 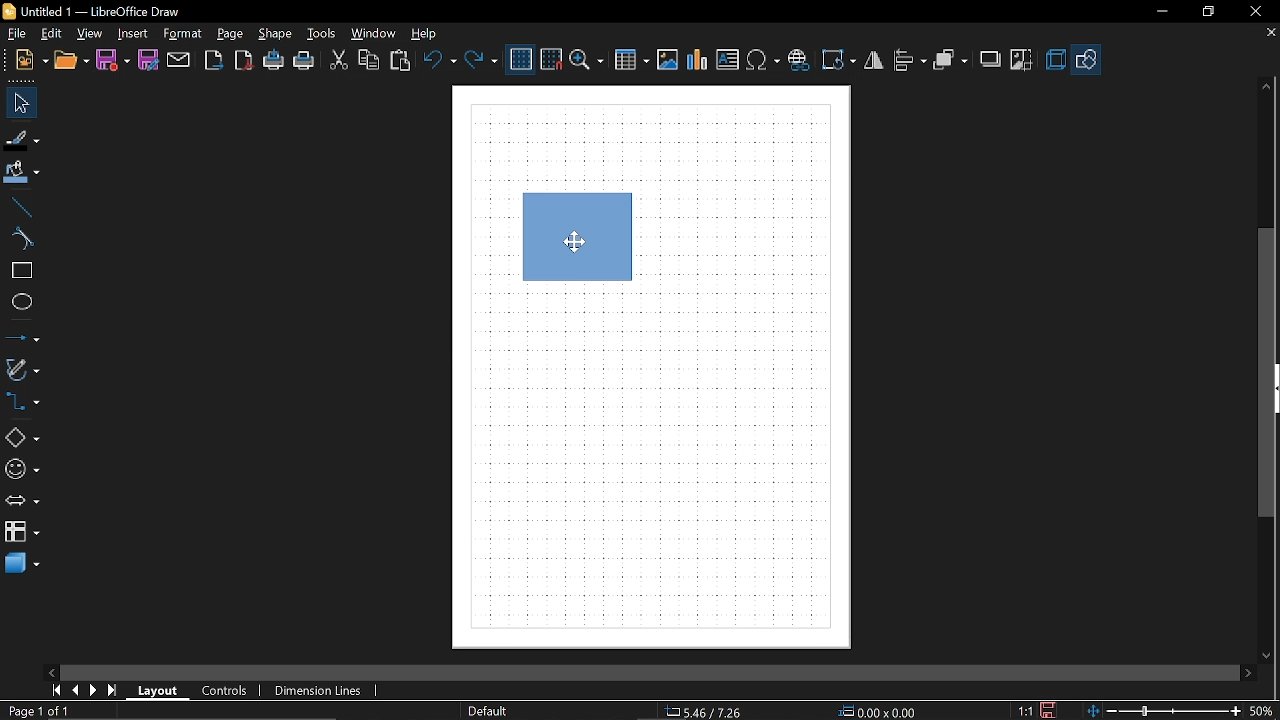 I want to click on Shadow, so click(x=992, y=59).